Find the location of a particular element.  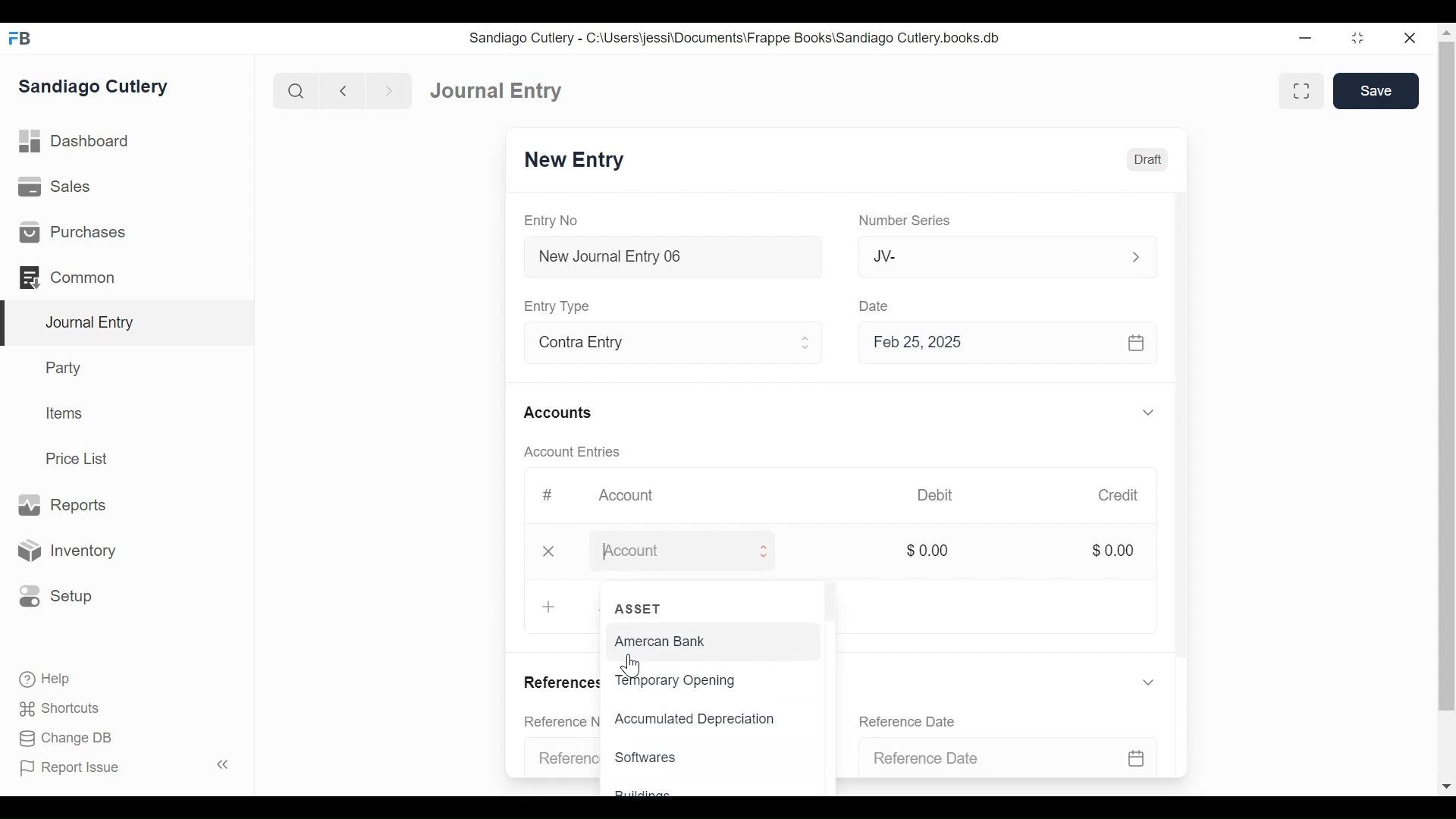

Change DB is located at coordinates (68, 740).